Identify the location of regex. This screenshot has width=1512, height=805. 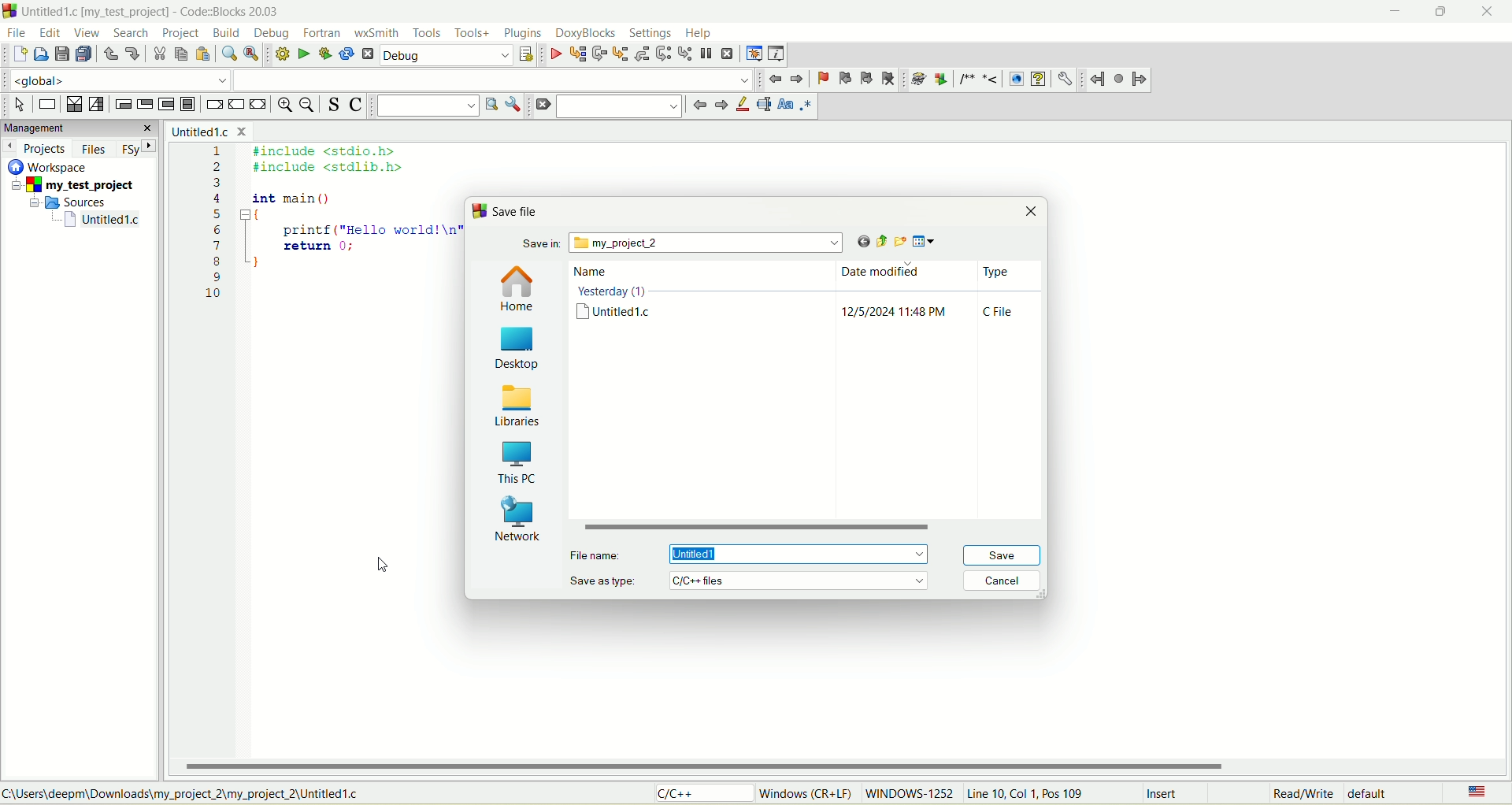
(806, 104).